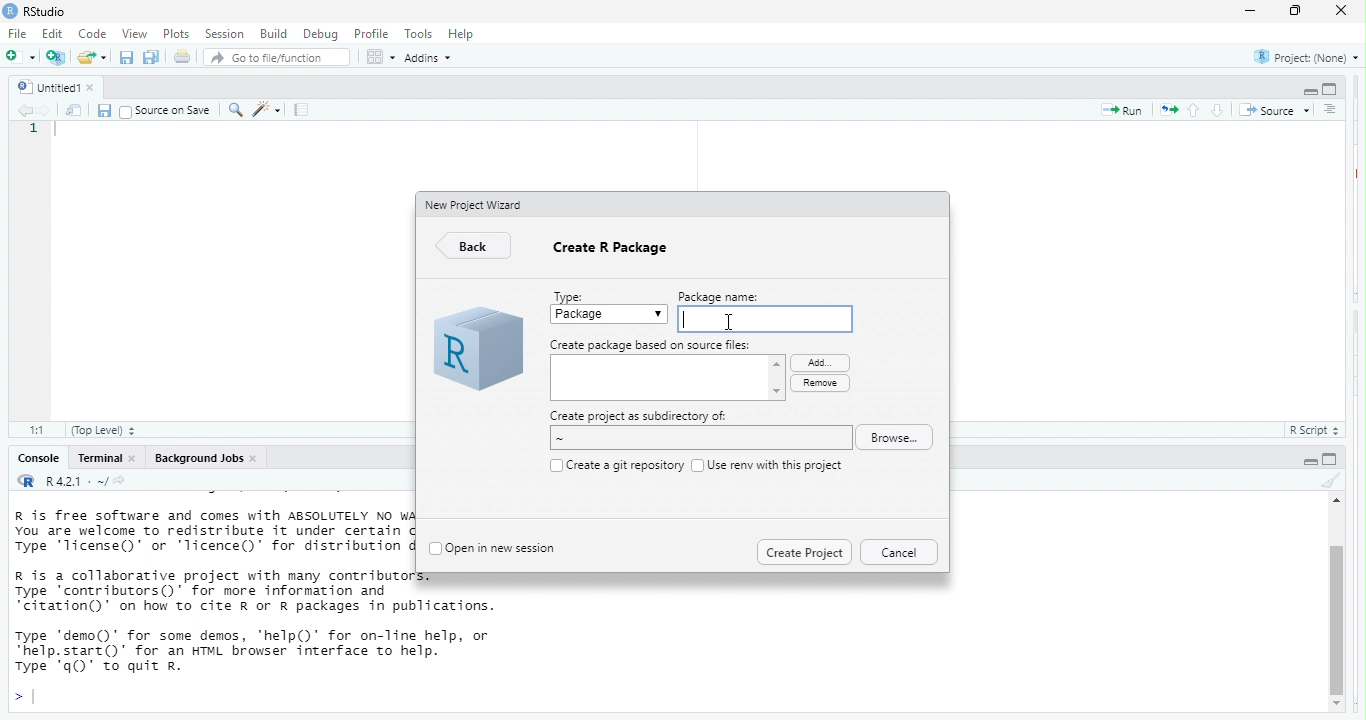 The width and height of the screenshot is (1366, 720). What do you see at coordinates (35, 459) in the screenshot?
I see `Console` at bounding box center [35, 459].